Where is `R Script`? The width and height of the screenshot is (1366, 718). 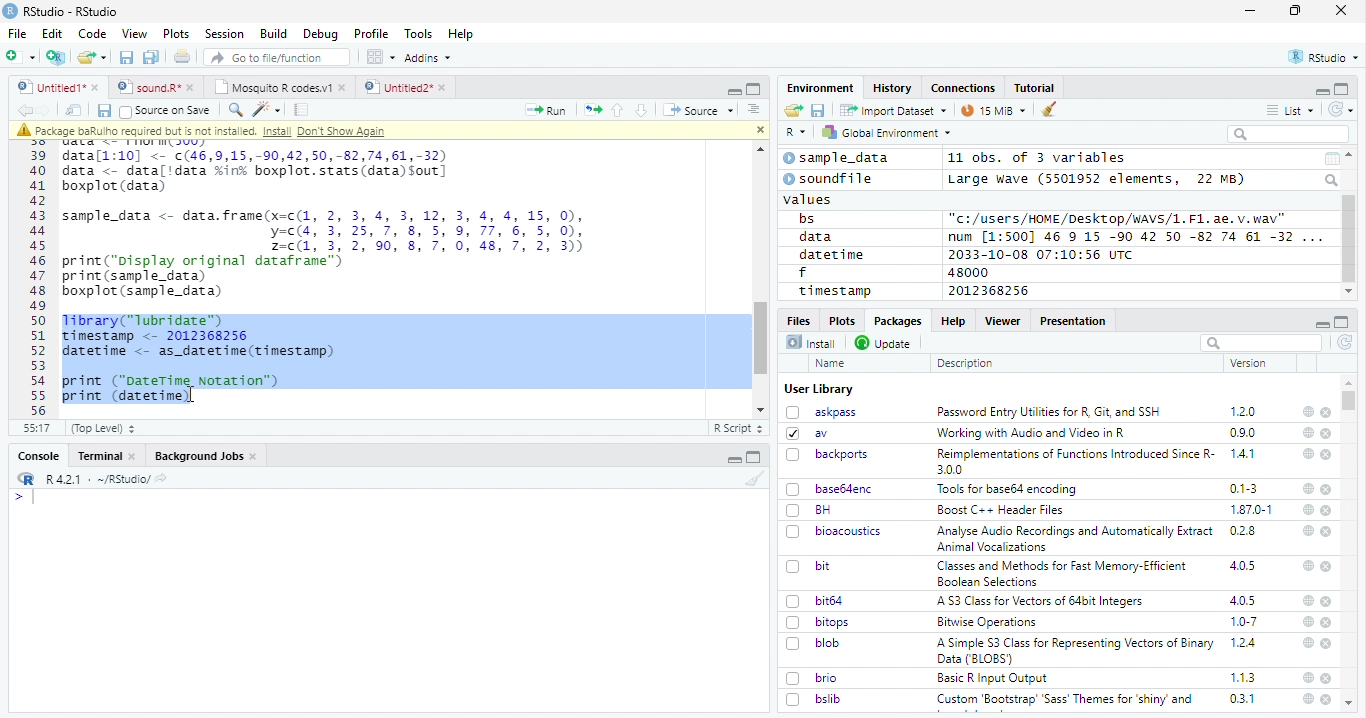
R Script is located at coordinates (737, 429).